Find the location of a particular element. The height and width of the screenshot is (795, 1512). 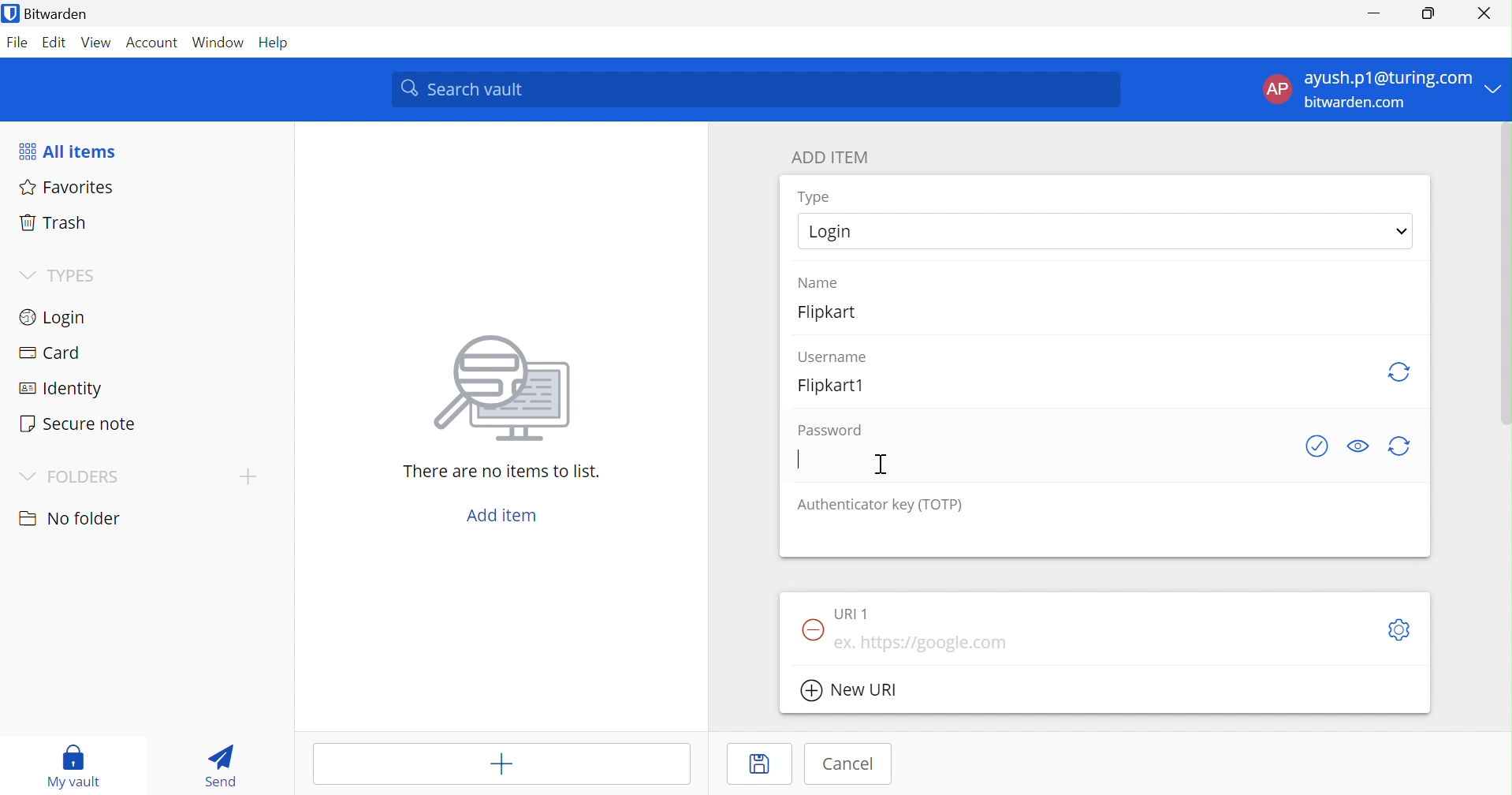

generate password is located at coordinates (1400, 447).